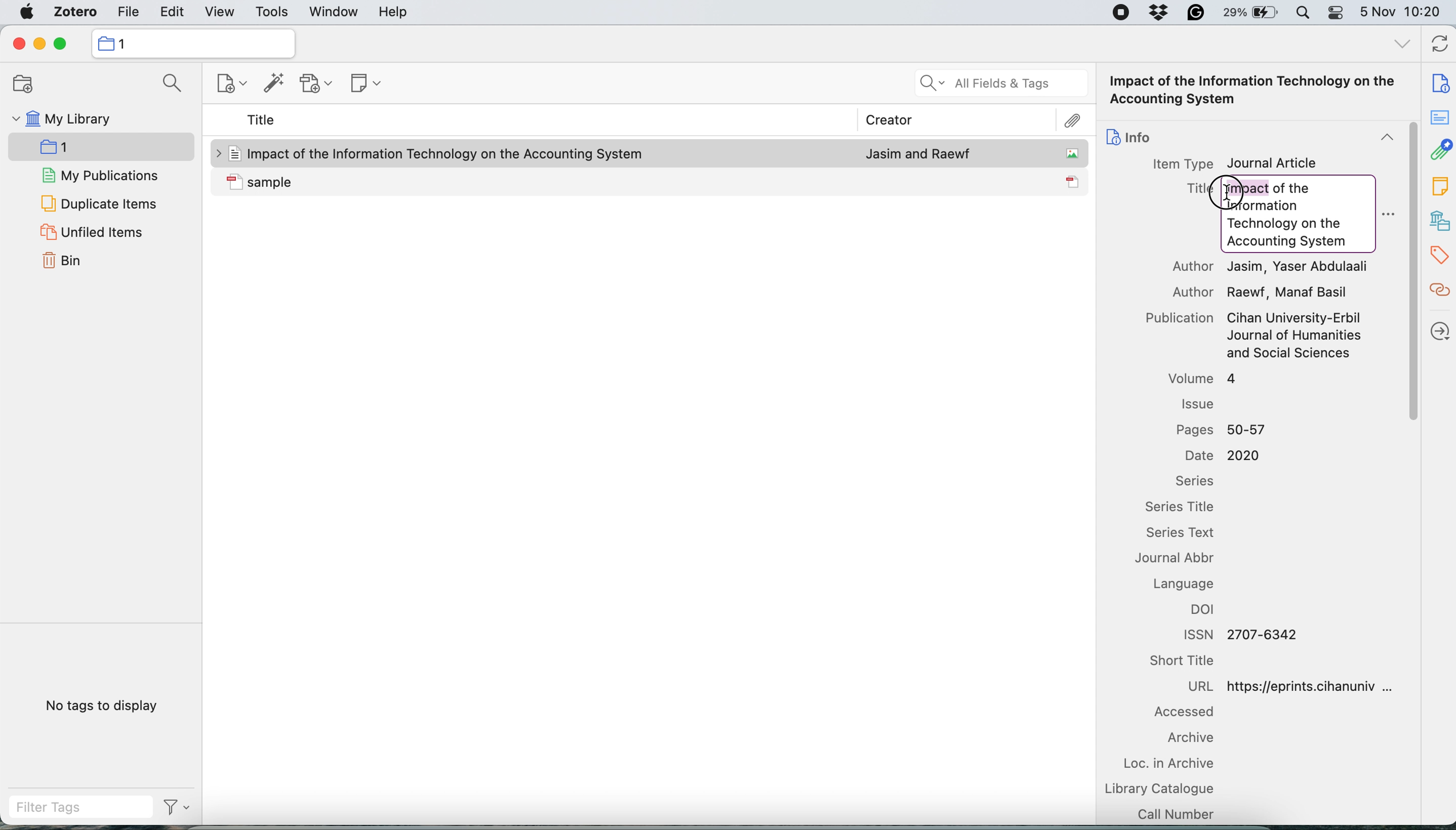  What do you see at coordinates (1338, 14) in the screenshot?
I see `control center` at bounding box center [1338, 14].